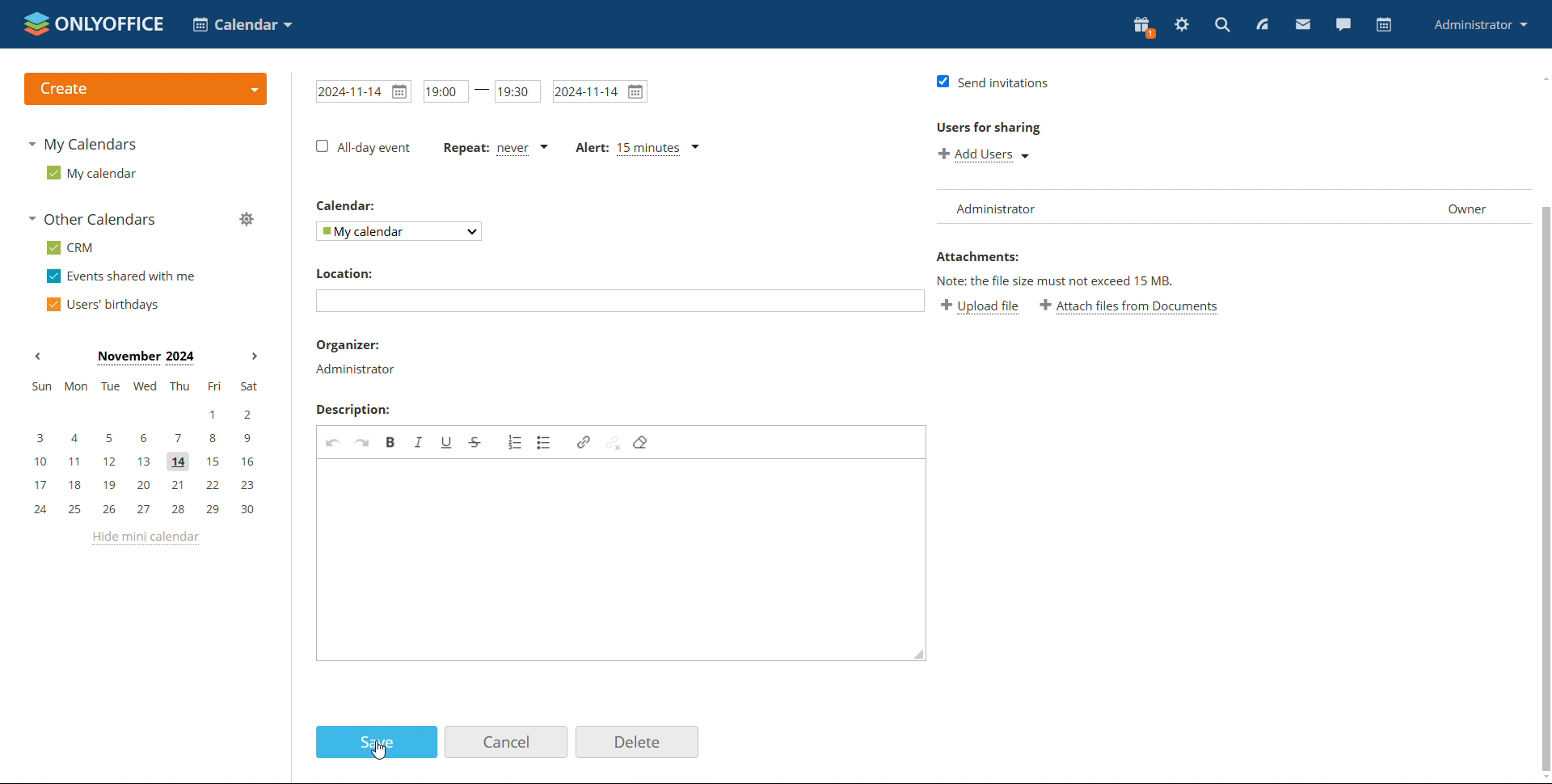  Describe the element at coordinates (994, 209) in the screenshot. I see `administrator` at that location.